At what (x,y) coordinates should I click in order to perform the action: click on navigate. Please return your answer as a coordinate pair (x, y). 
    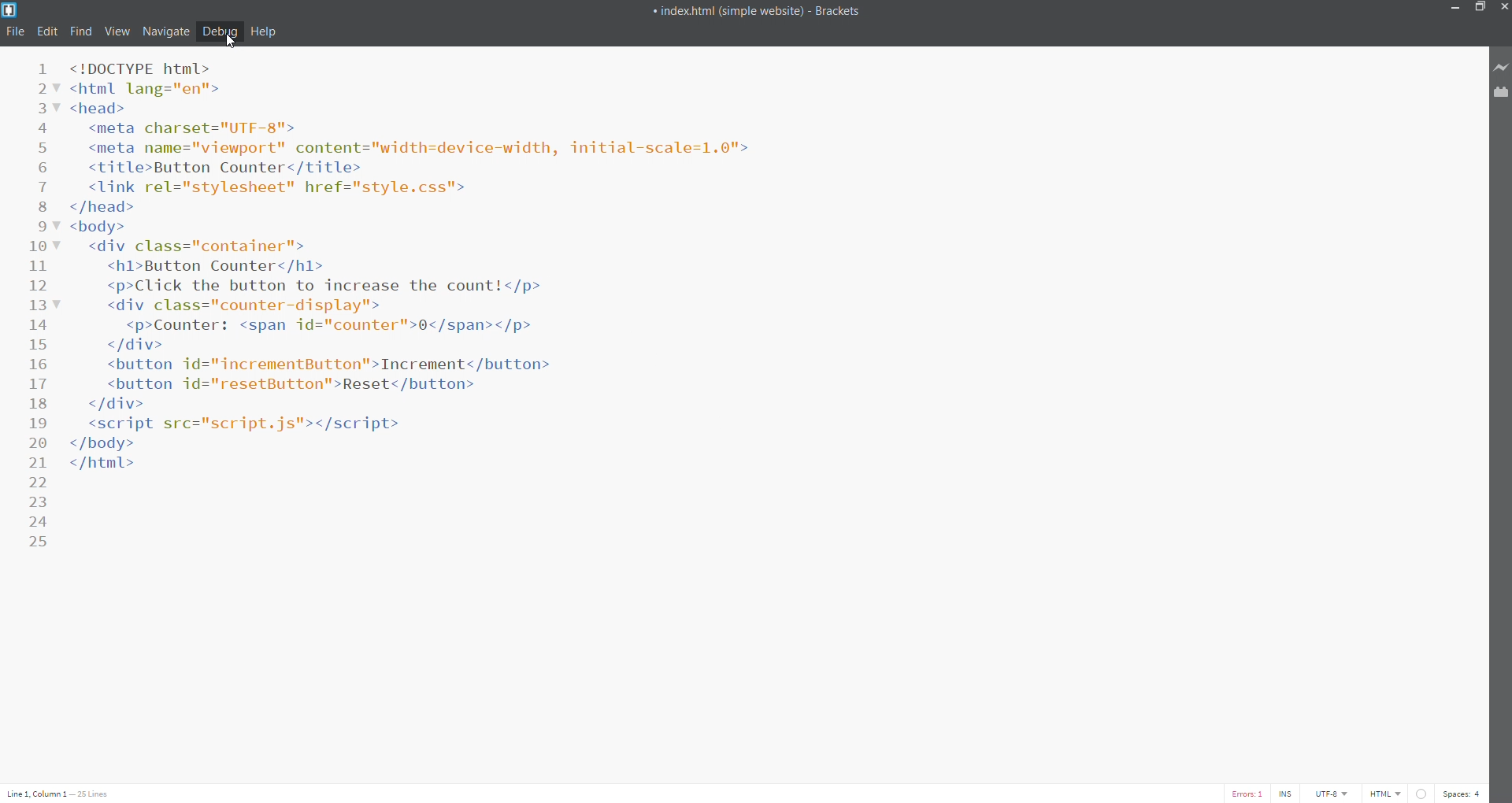
    Looking at the image, I should click on (169, 31).